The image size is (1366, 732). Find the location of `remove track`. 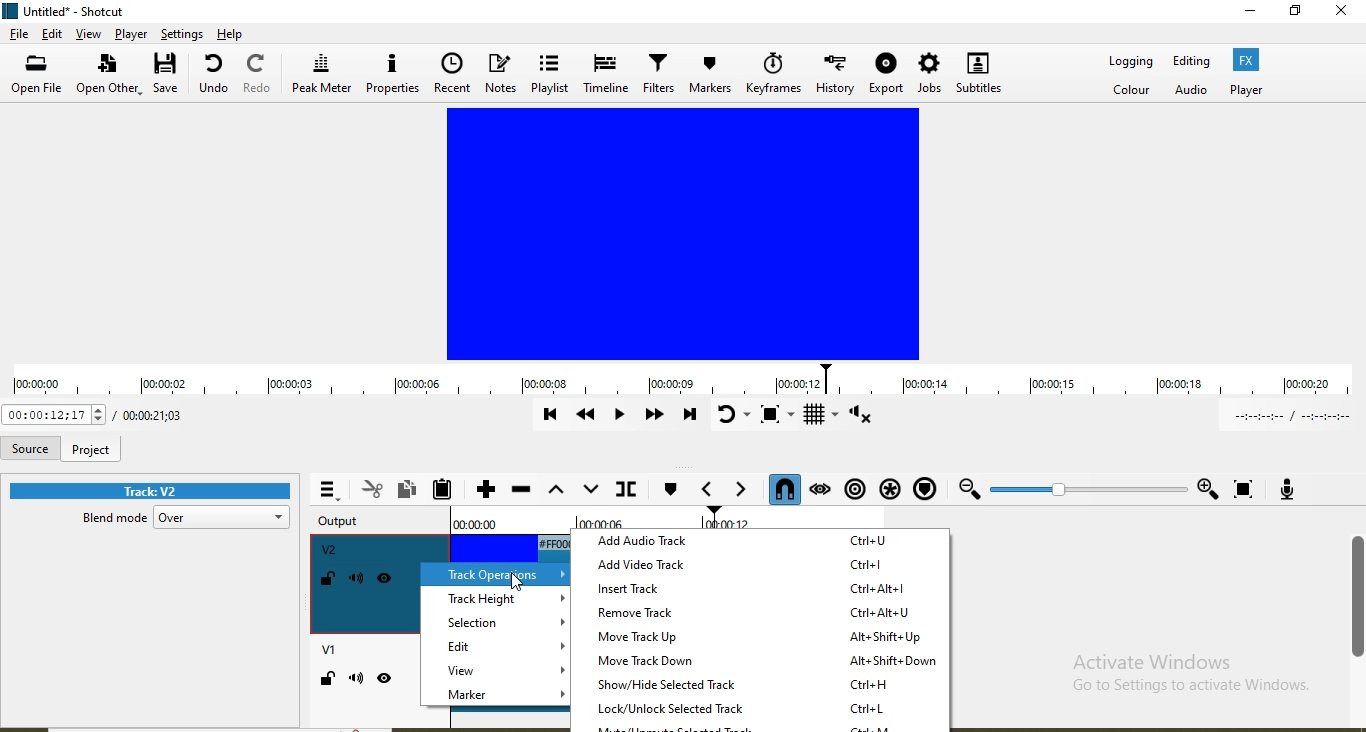

remove track is located at coordinates (761, 612).